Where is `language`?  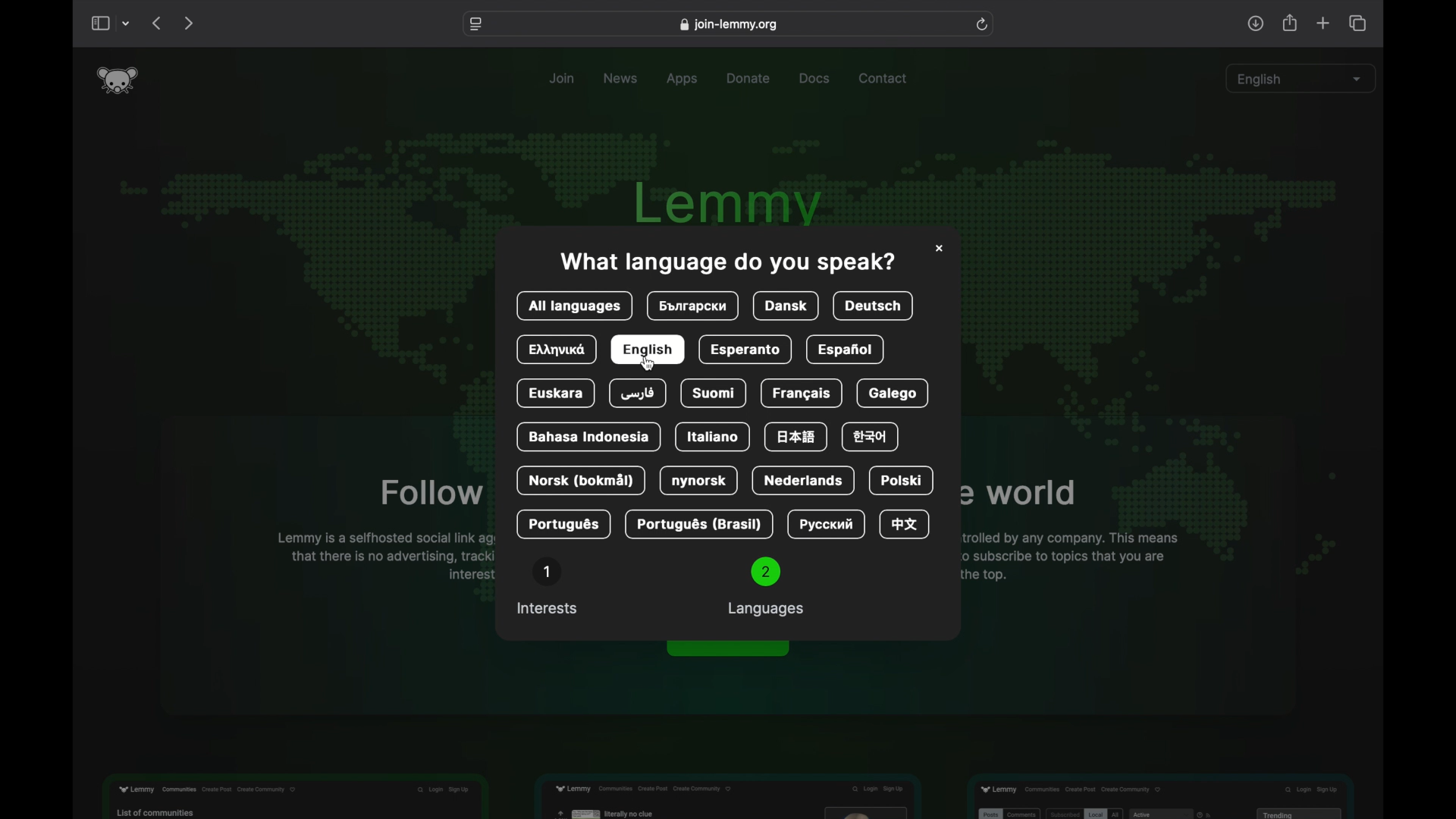
language is located at coordinates (559, 350).